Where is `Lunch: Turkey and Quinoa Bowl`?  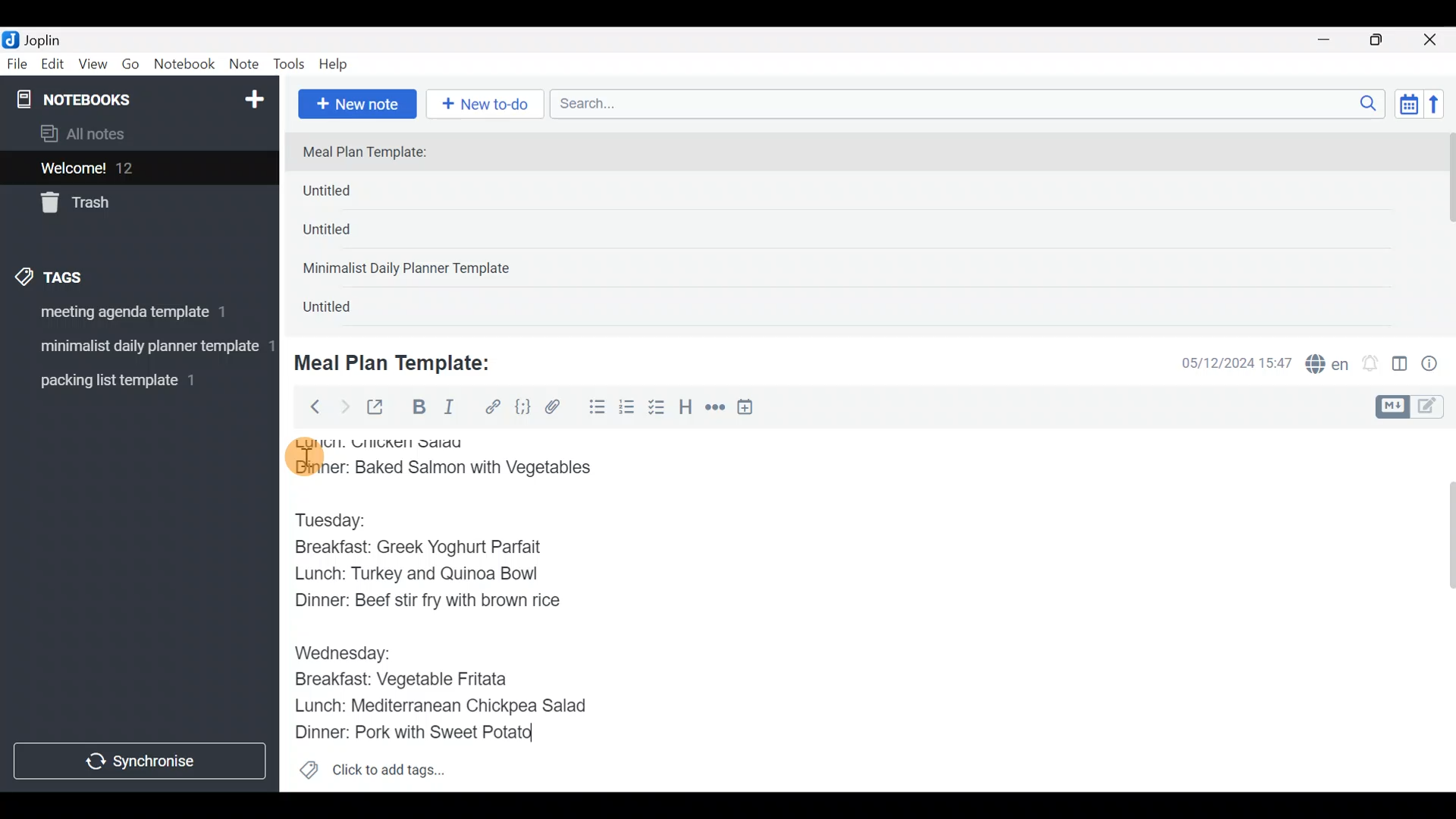 Lunch: Turkey and Quinoa Bowl is located at coordinates (421, 576).